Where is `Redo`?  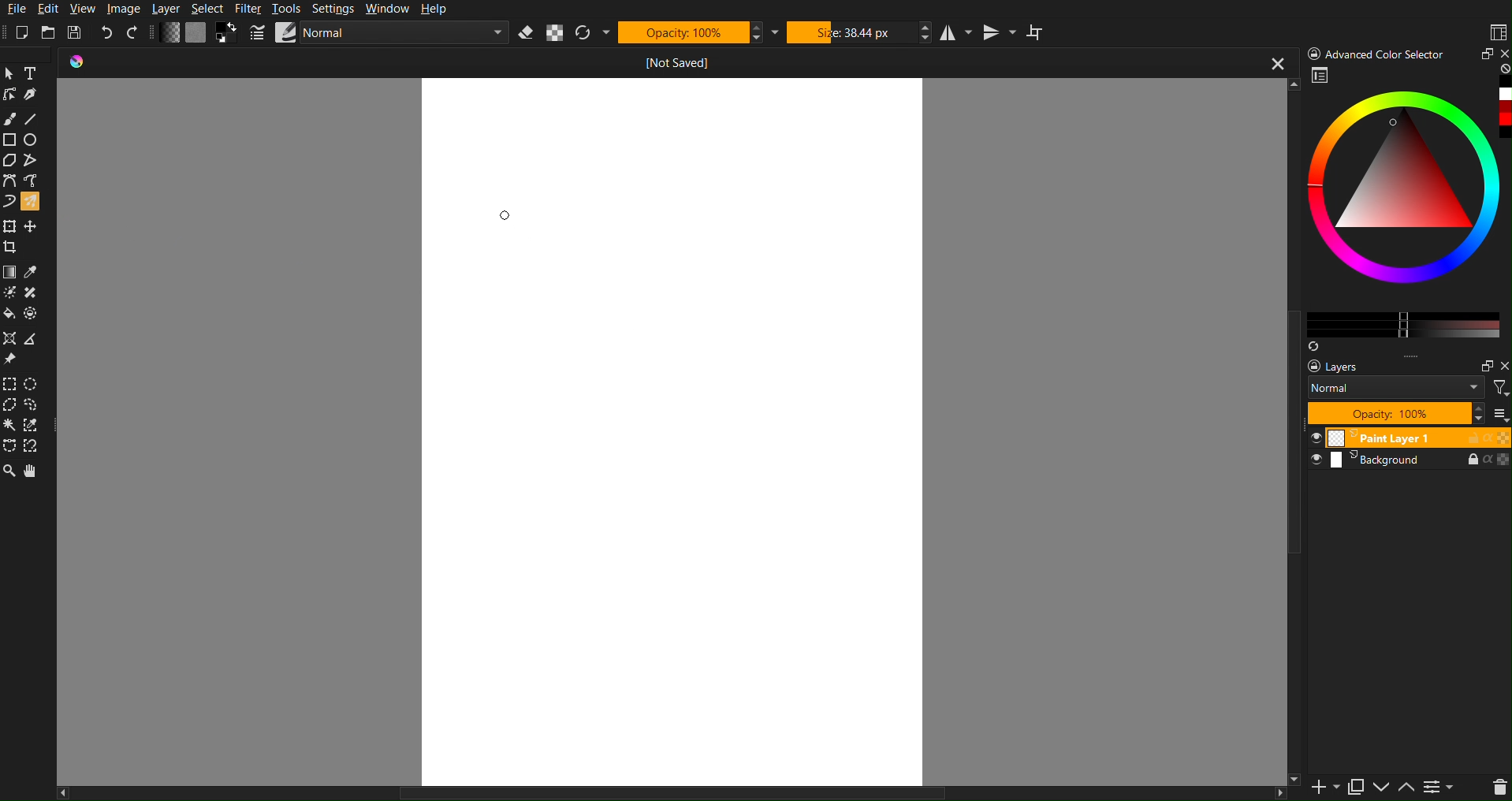
Redo is located at coordinates (133, 33).